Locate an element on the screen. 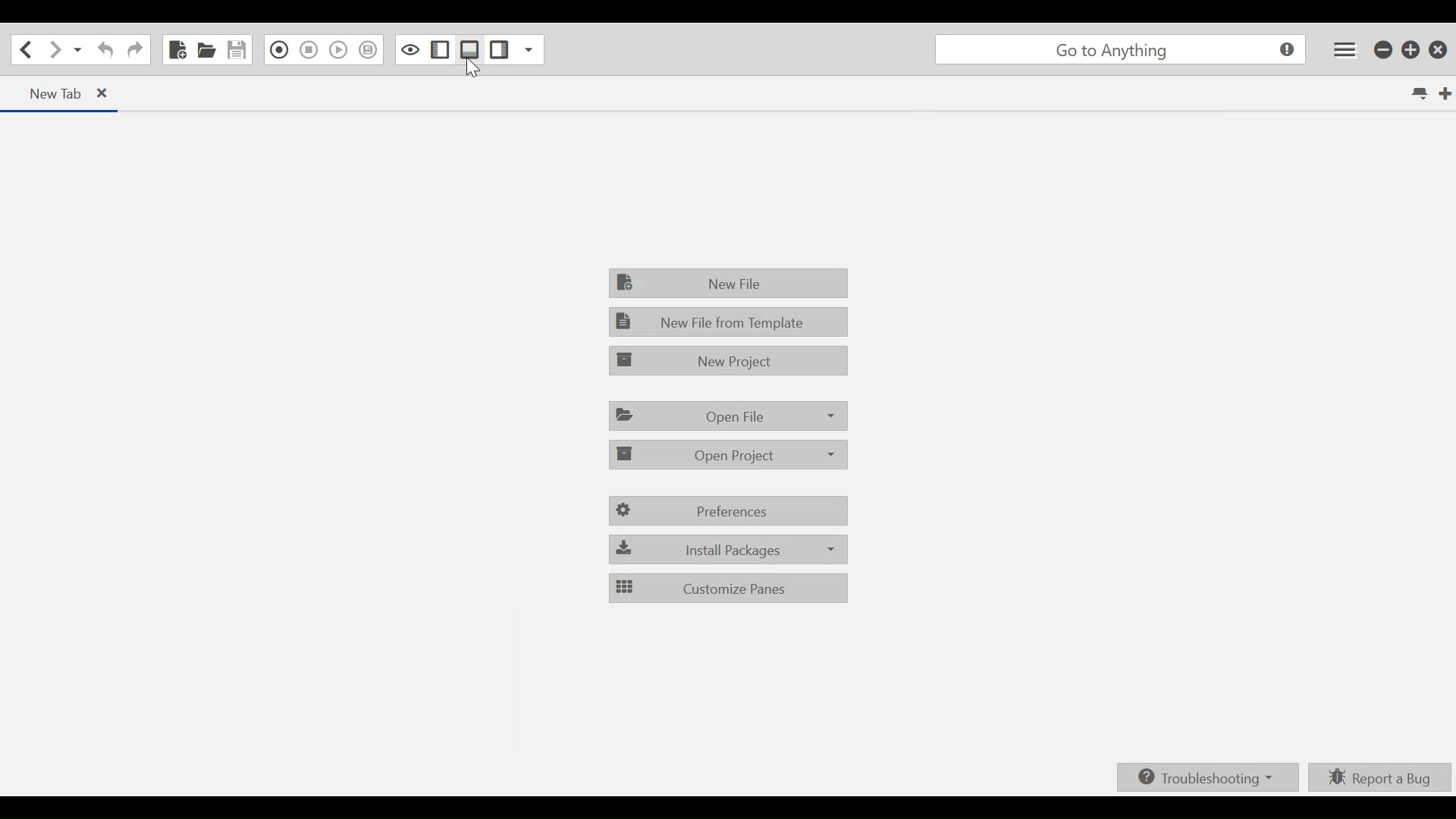 This screenshot has height=819, width=1456. New File fro Template is located at coordinates (729, 321).